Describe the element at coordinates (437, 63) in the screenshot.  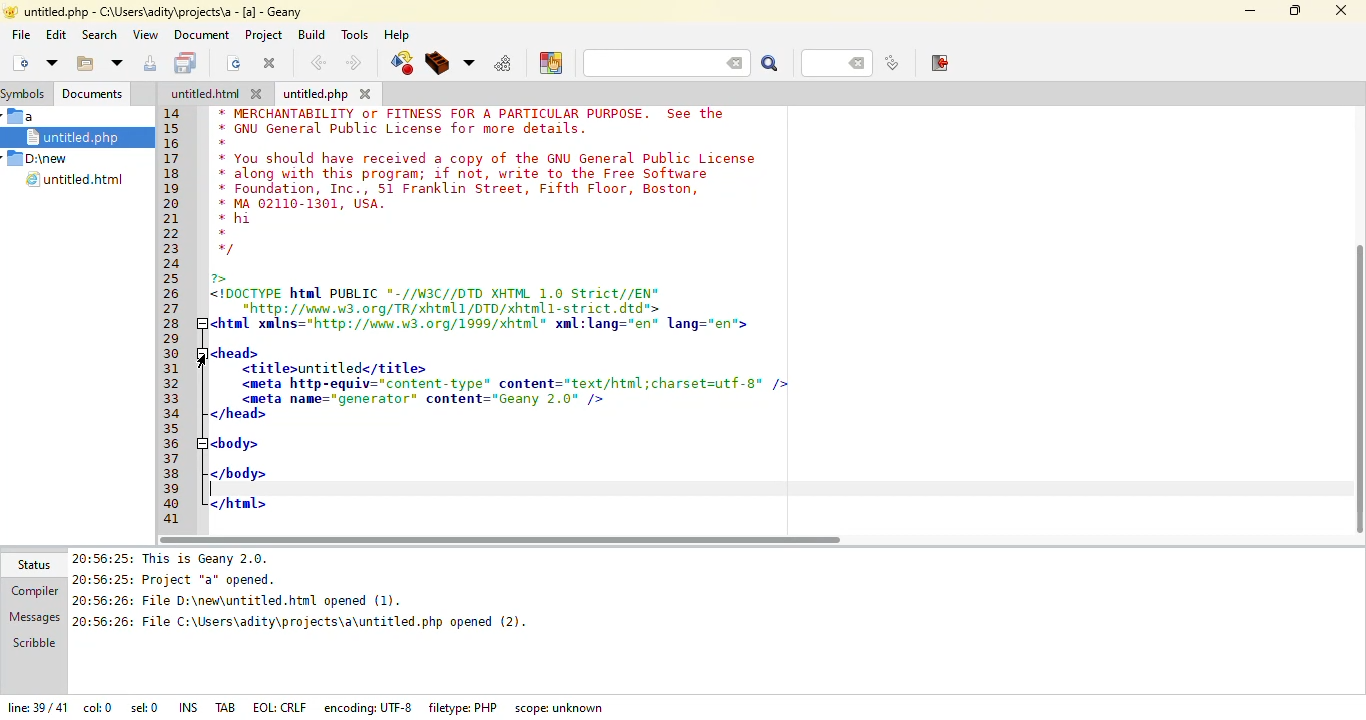
I see `build` at that location.